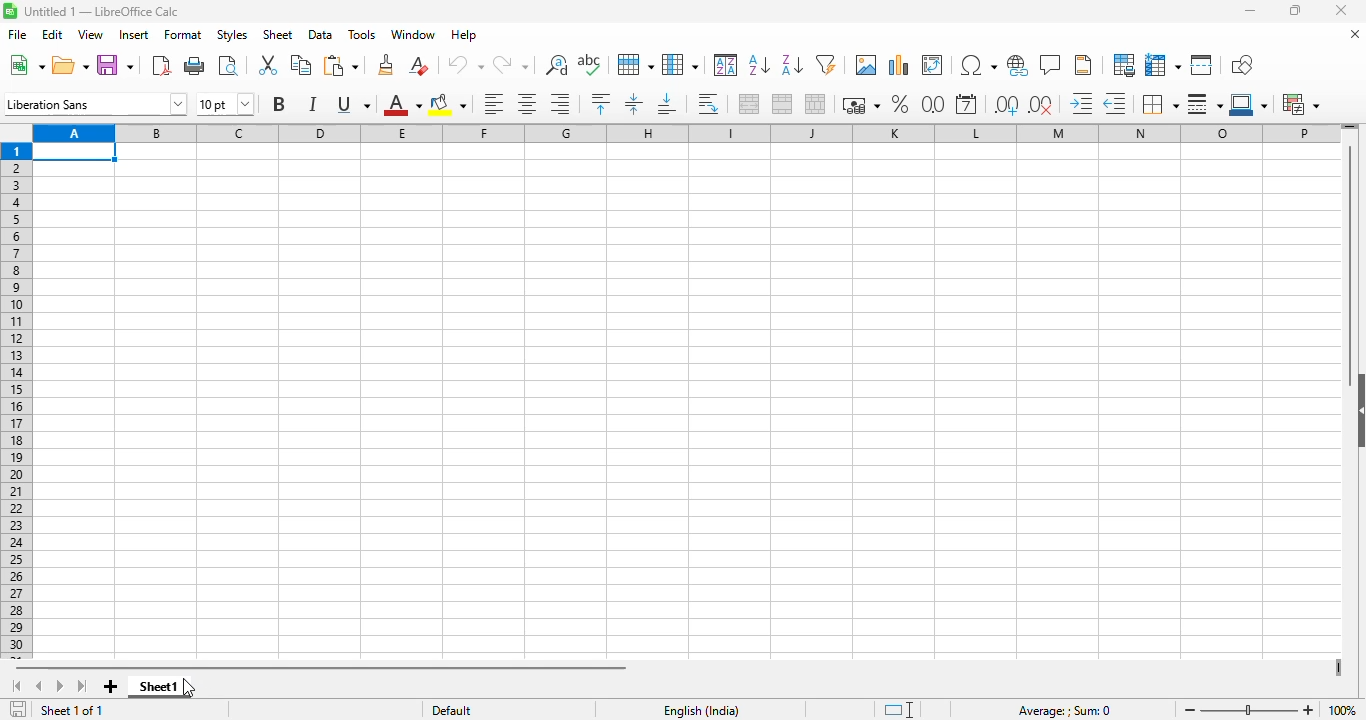 This screenshot has height=720, width=1366. What do you see at coordinates (1240, 64) in the screenshot?
I see `show draw functions` at bounding box center [1240, 64].